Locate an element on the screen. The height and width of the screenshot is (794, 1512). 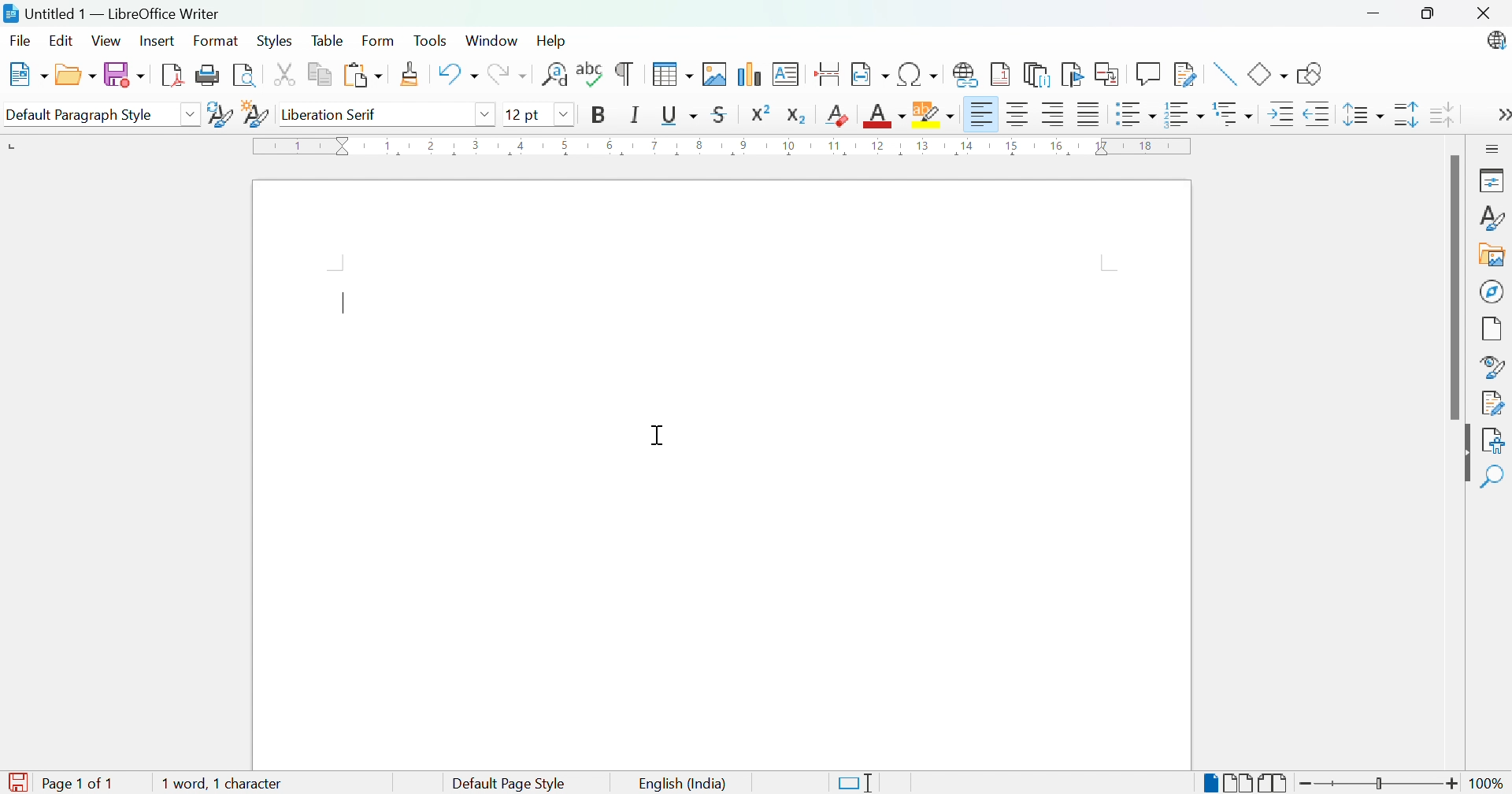
Basic shapes is located at coordinates (1269, 74).